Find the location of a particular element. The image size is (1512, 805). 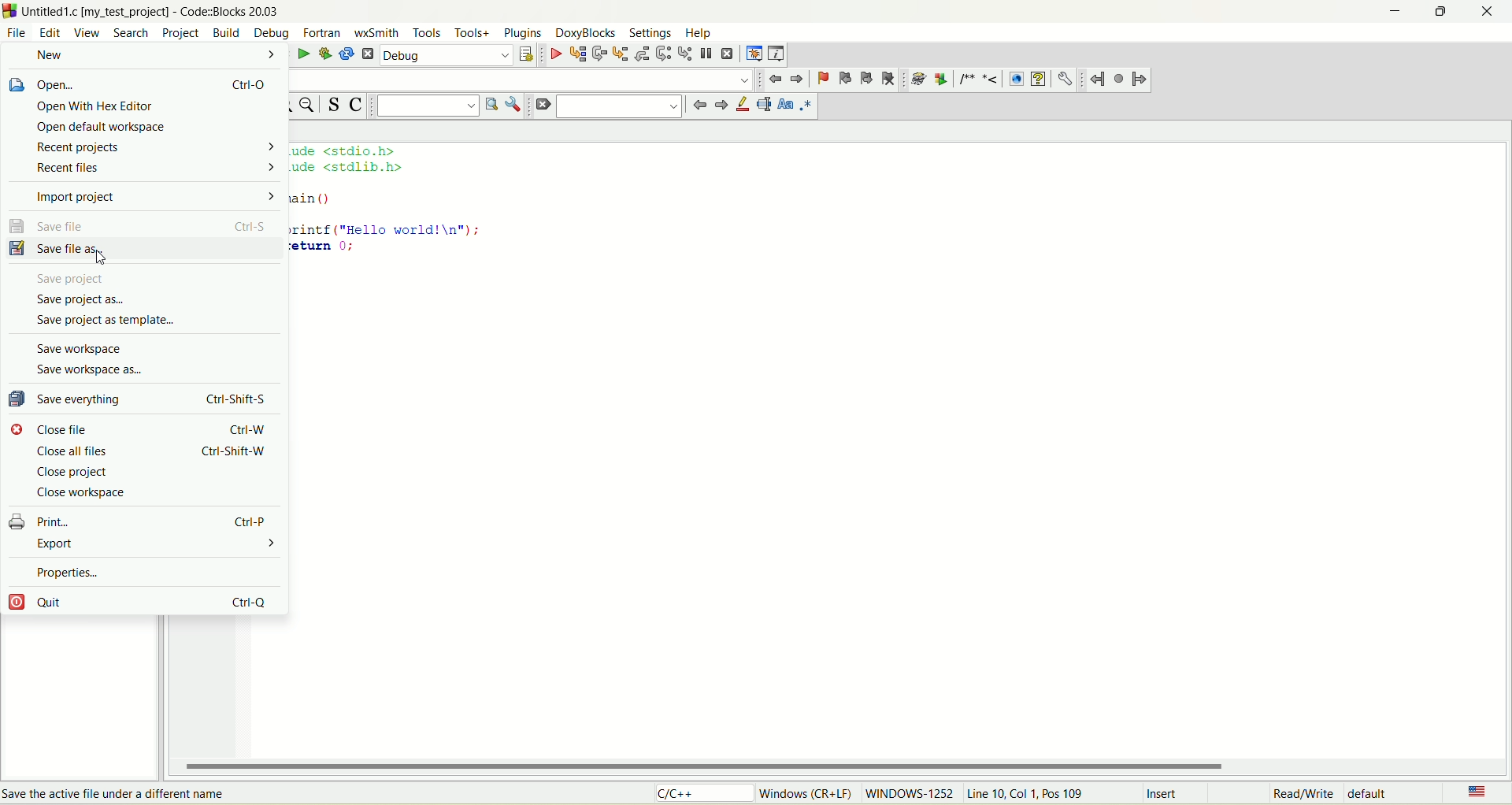

next instruction is located at coordinates (662, 53).